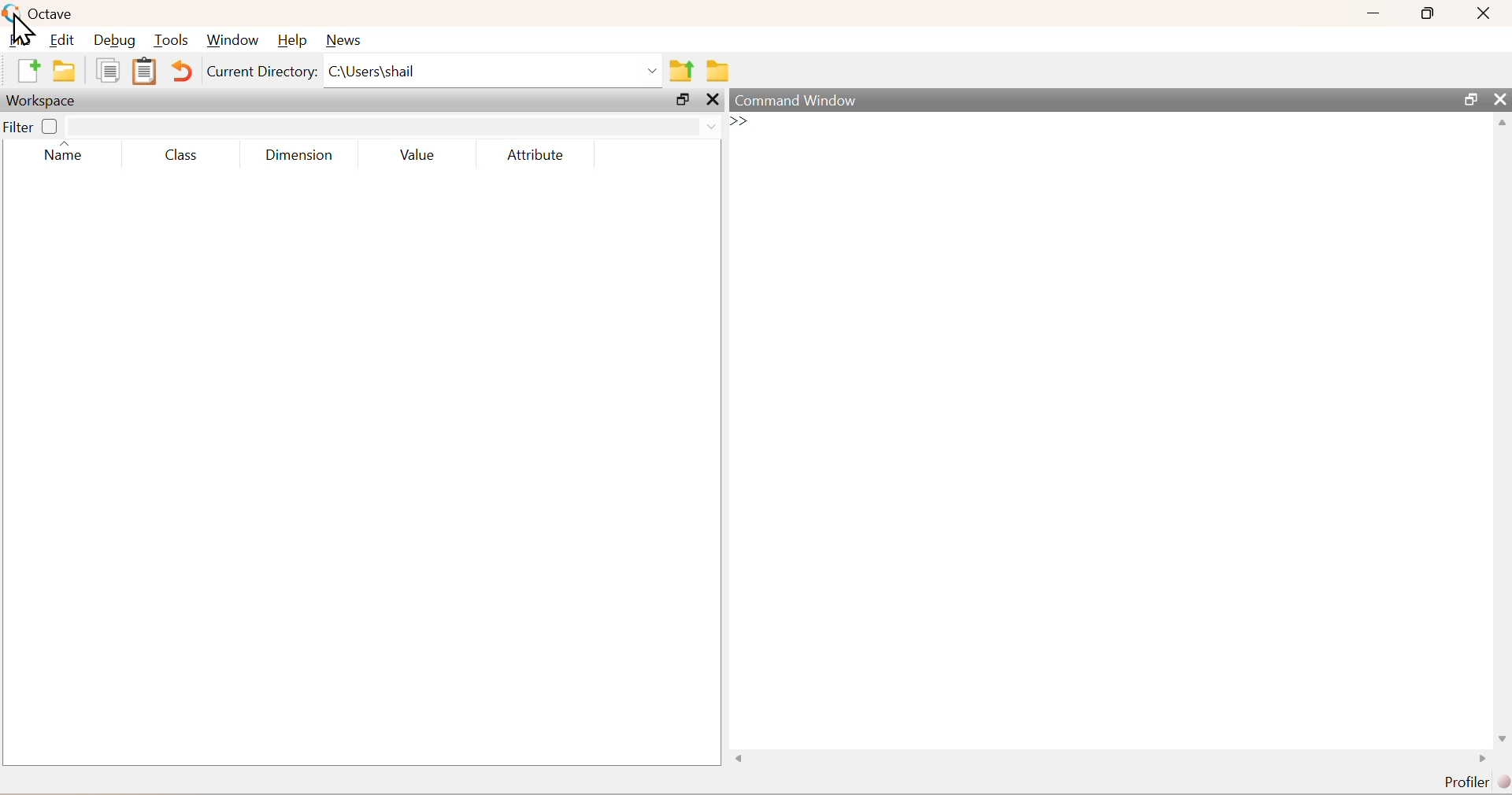  What do you see at coordinates (20, 40) in the screenshot?
I see `File` at bounding box center [20, 40].